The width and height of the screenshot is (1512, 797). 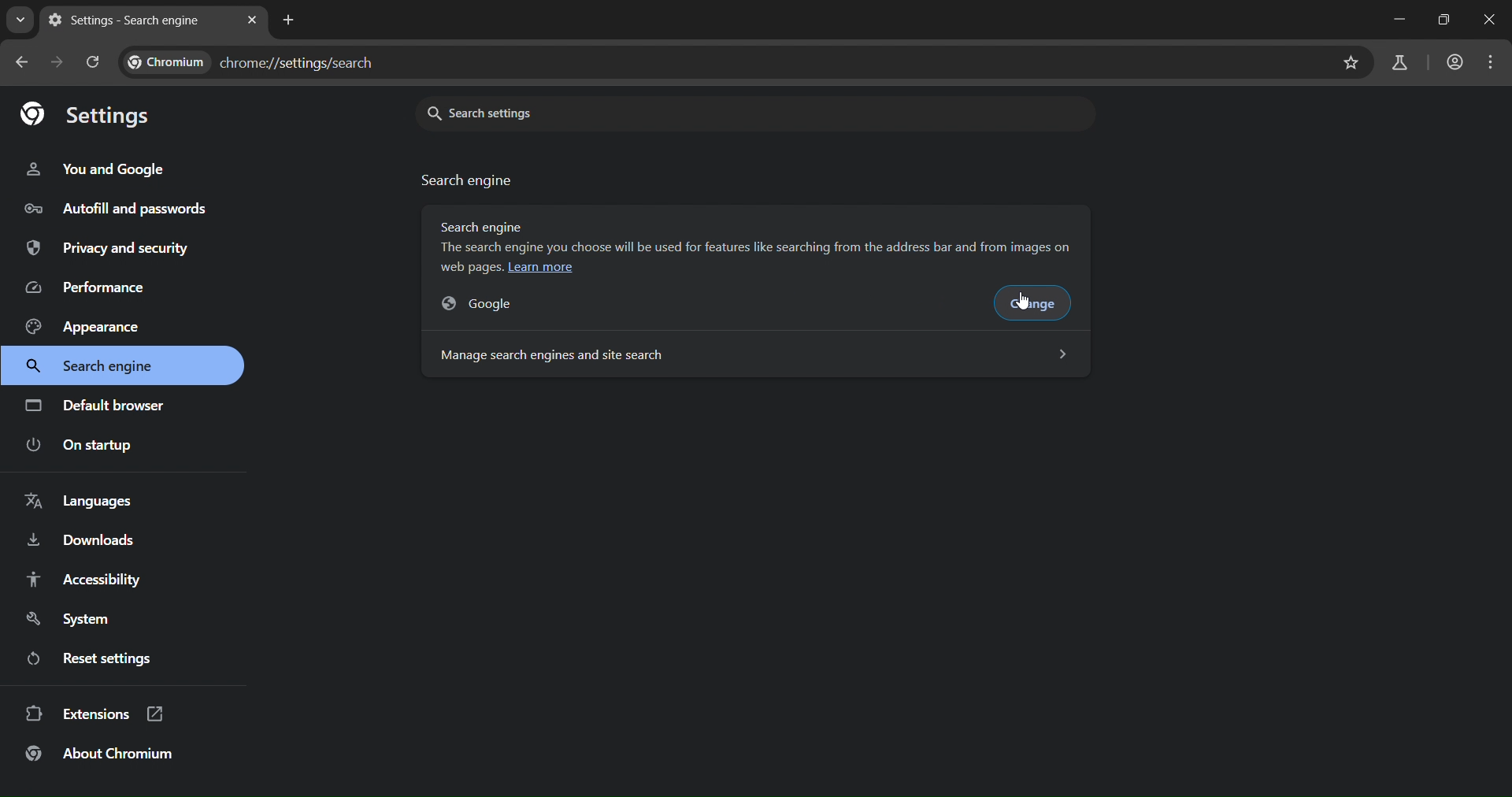 I want to click on Learn more, so click(x=541, y=268).